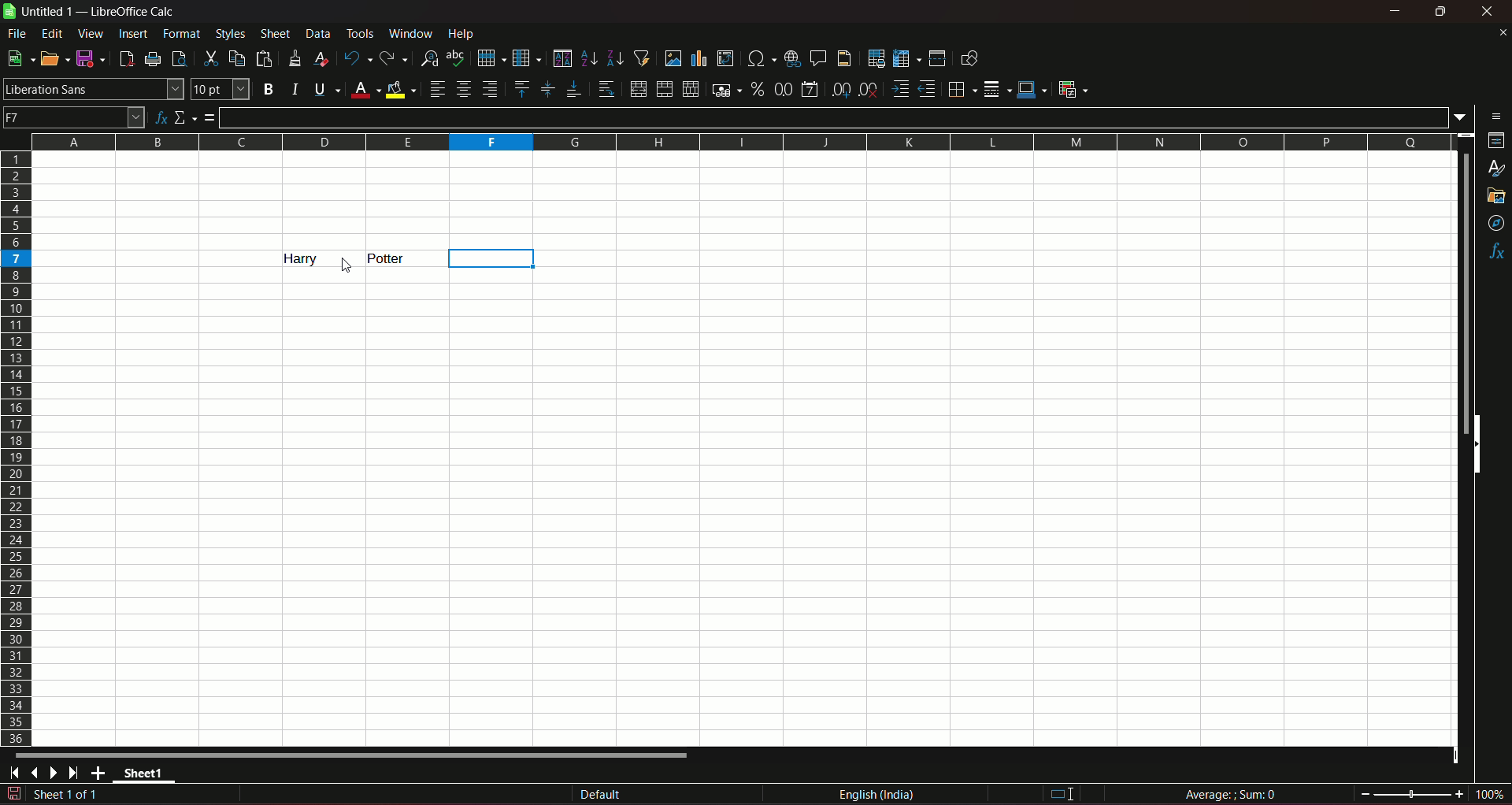 The image size is (1512, 805). I want to click on align bottom, so click(573, 89).